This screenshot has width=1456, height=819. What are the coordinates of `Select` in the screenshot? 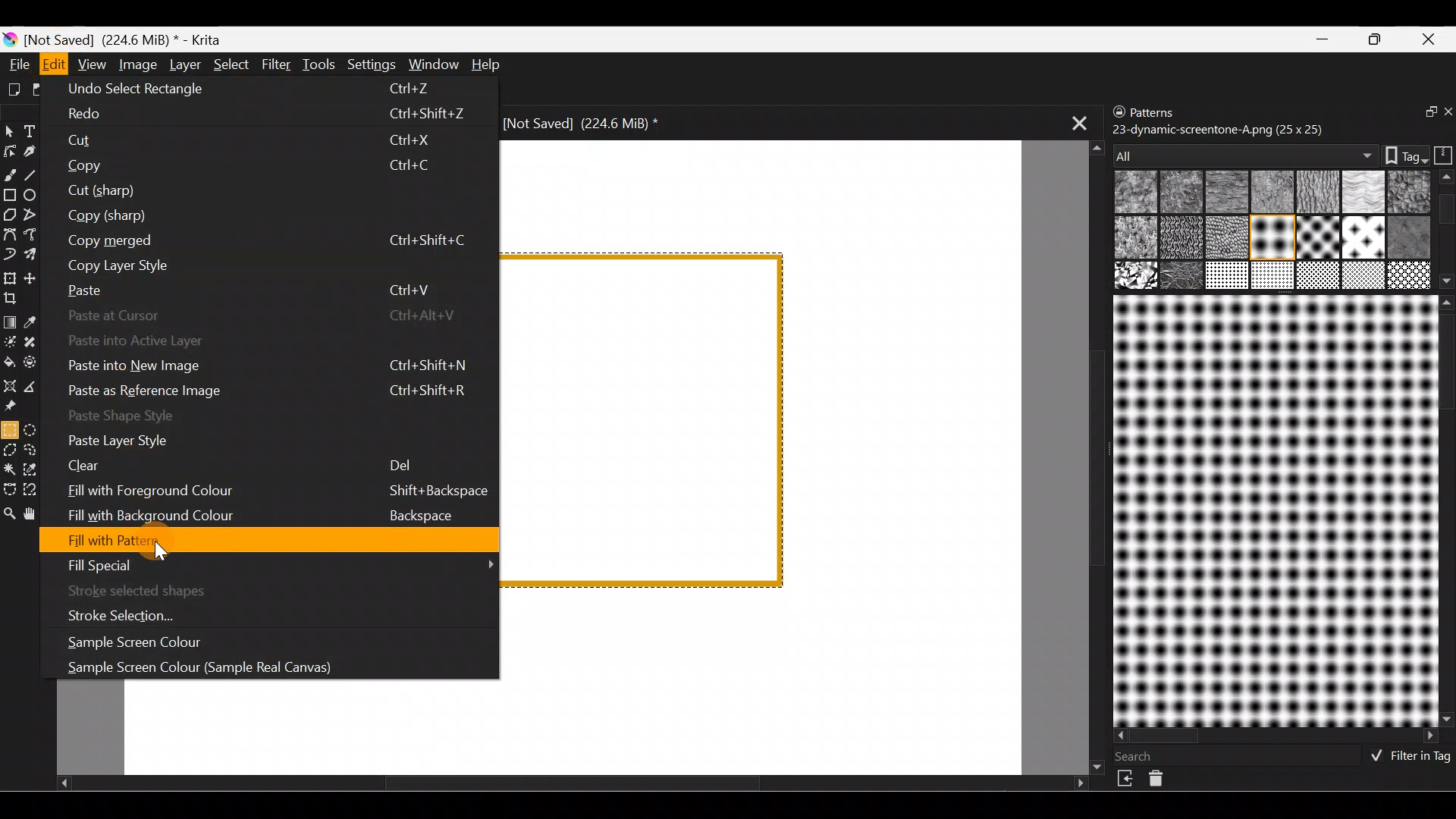 It's located at (231, 64).